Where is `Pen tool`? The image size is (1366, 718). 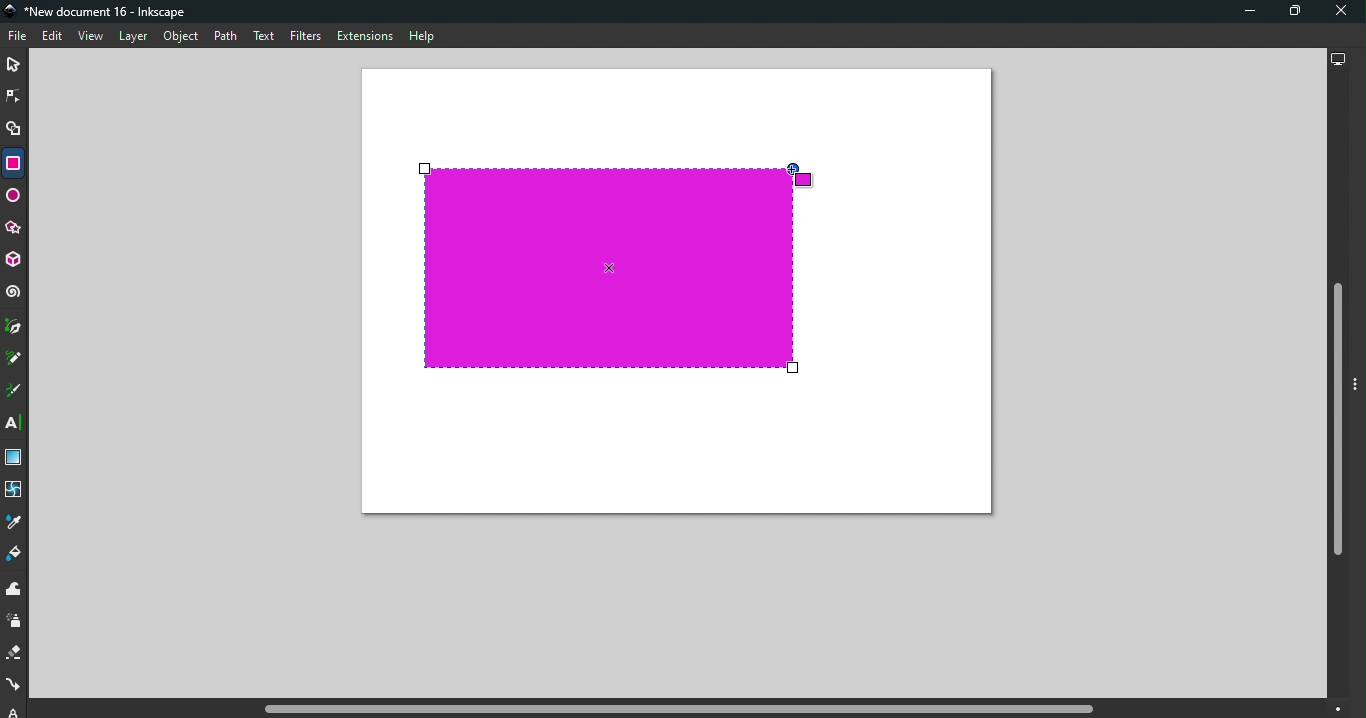 Pen tool is located at coordinates (15, 327).